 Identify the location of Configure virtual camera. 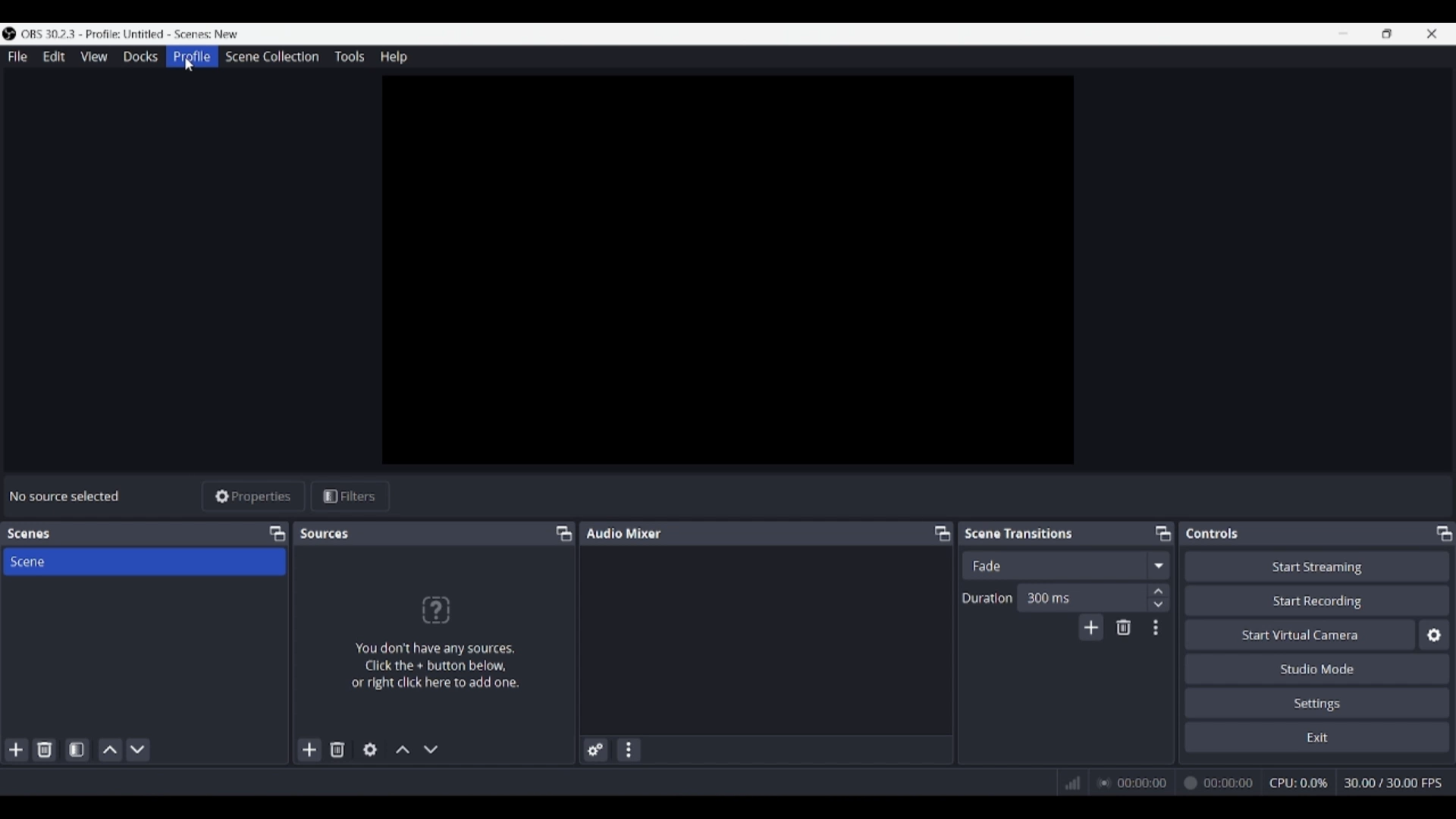
(1434, 635).